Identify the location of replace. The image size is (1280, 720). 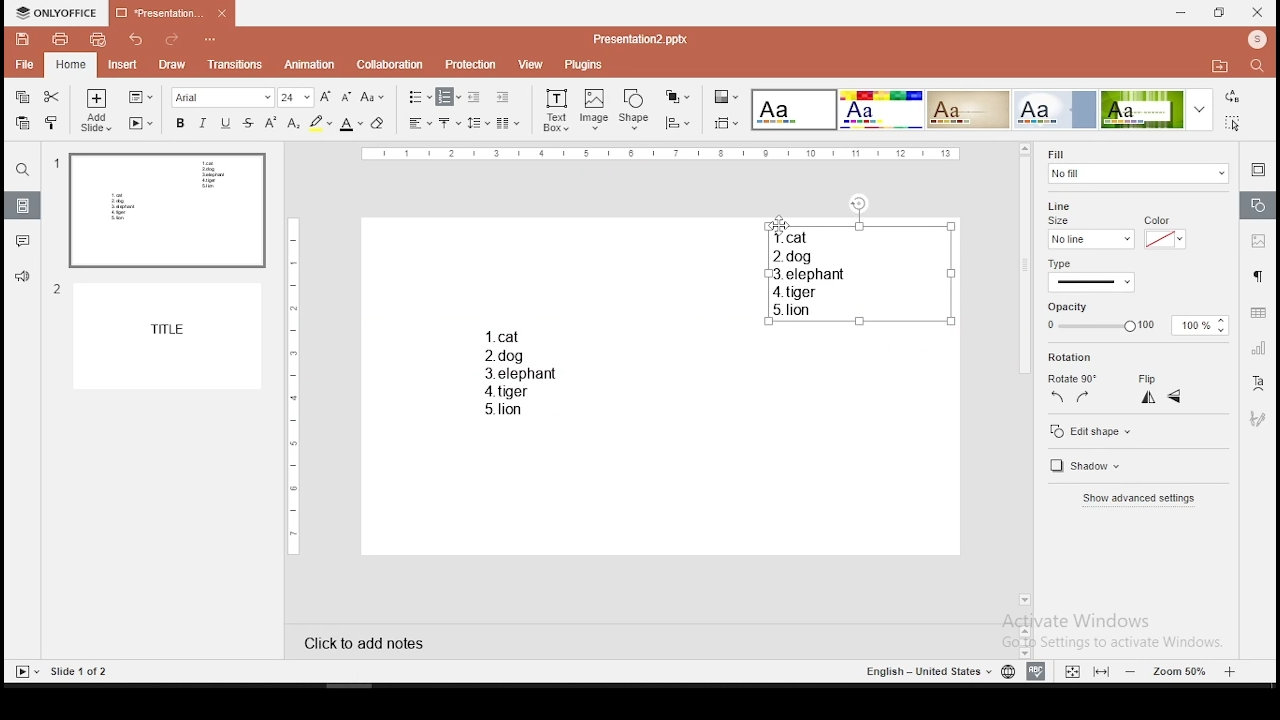
(1233, 97).